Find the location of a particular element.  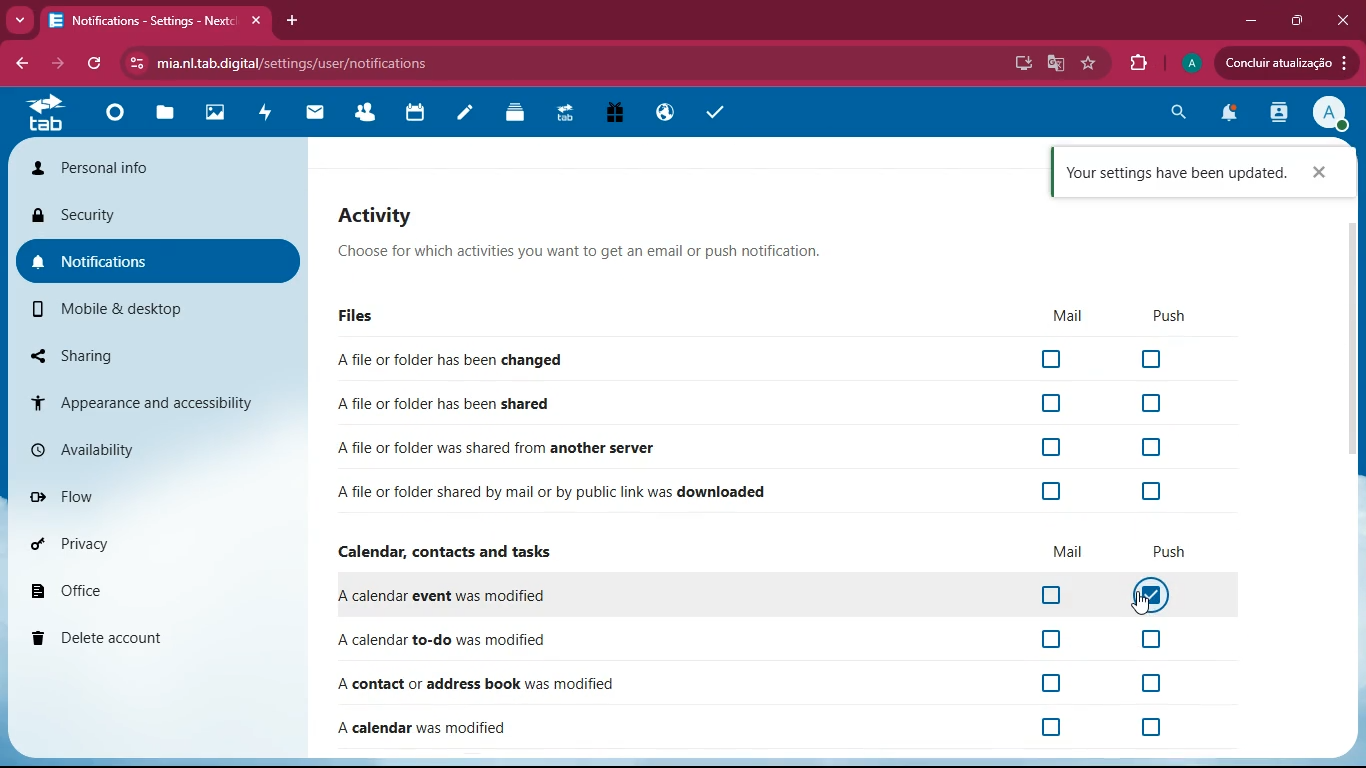

off is located at coordinates (1159, 727).